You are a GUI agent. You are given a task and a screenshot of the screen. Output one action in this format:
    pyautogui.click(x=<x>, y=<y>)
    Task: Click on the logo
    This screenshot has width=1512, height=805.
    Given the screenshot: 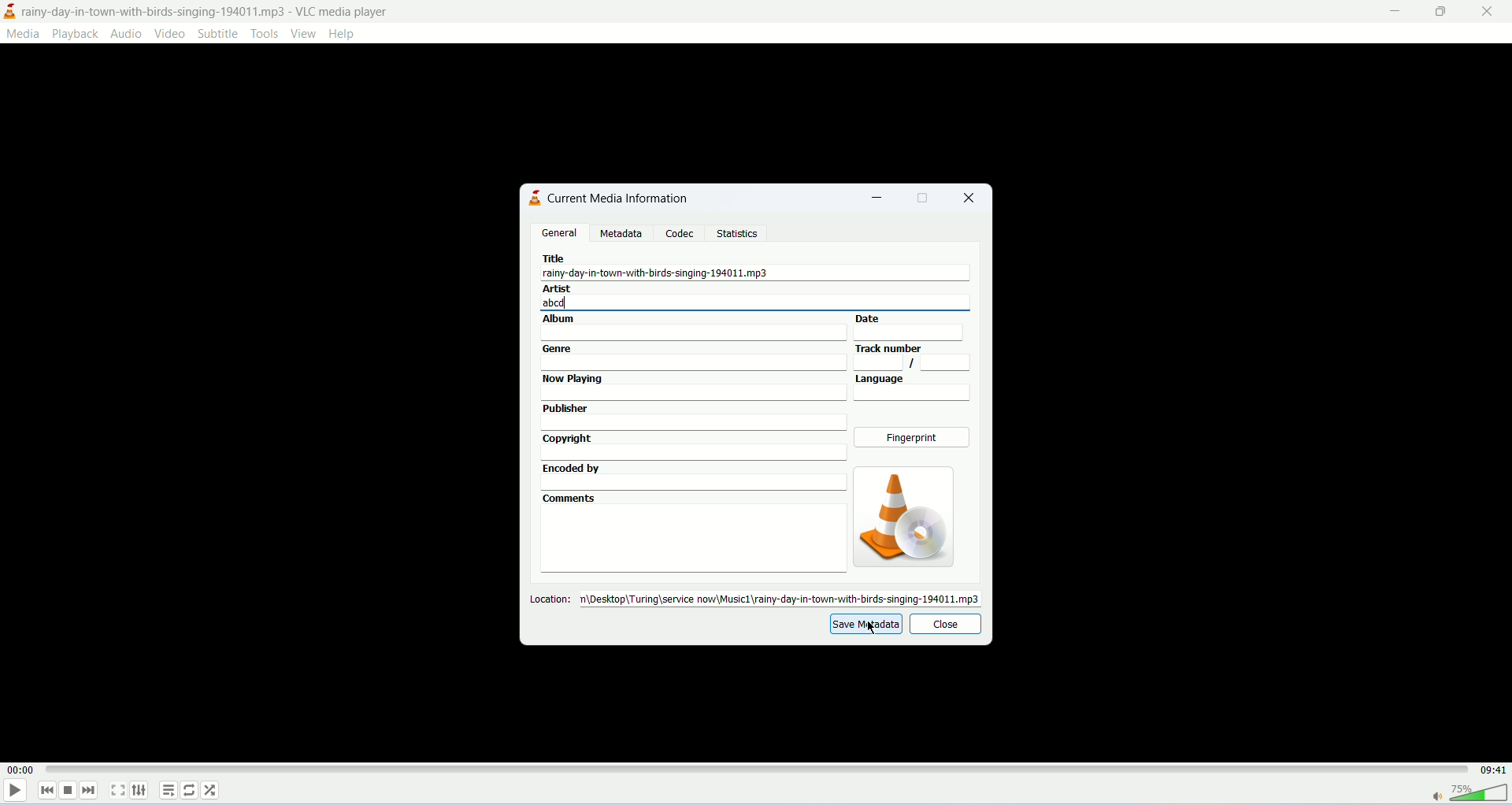 What is the action you would take?
    pyautogui.click(x=531, y=198)
    